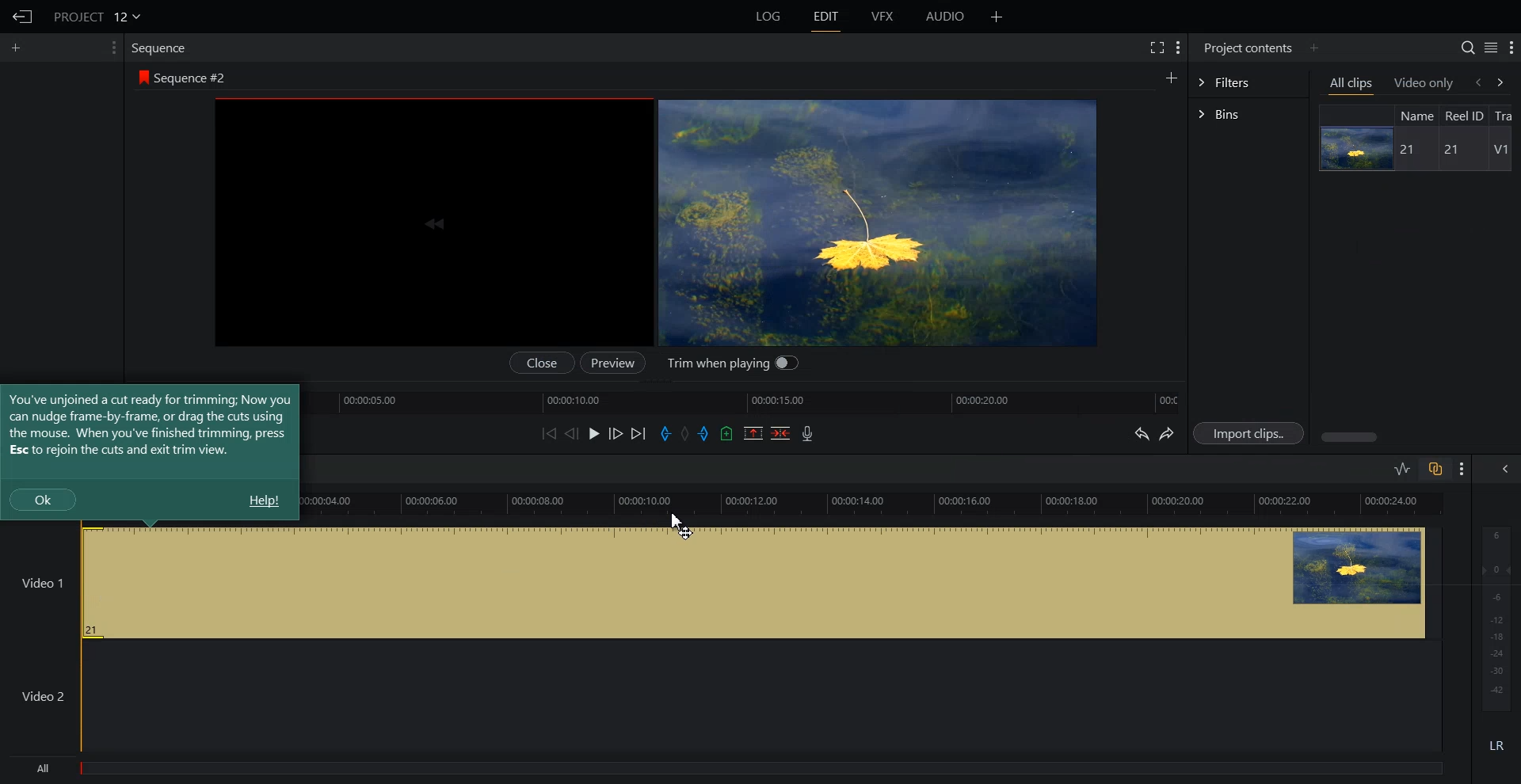  I want to click on Image, so click(1354, 148).